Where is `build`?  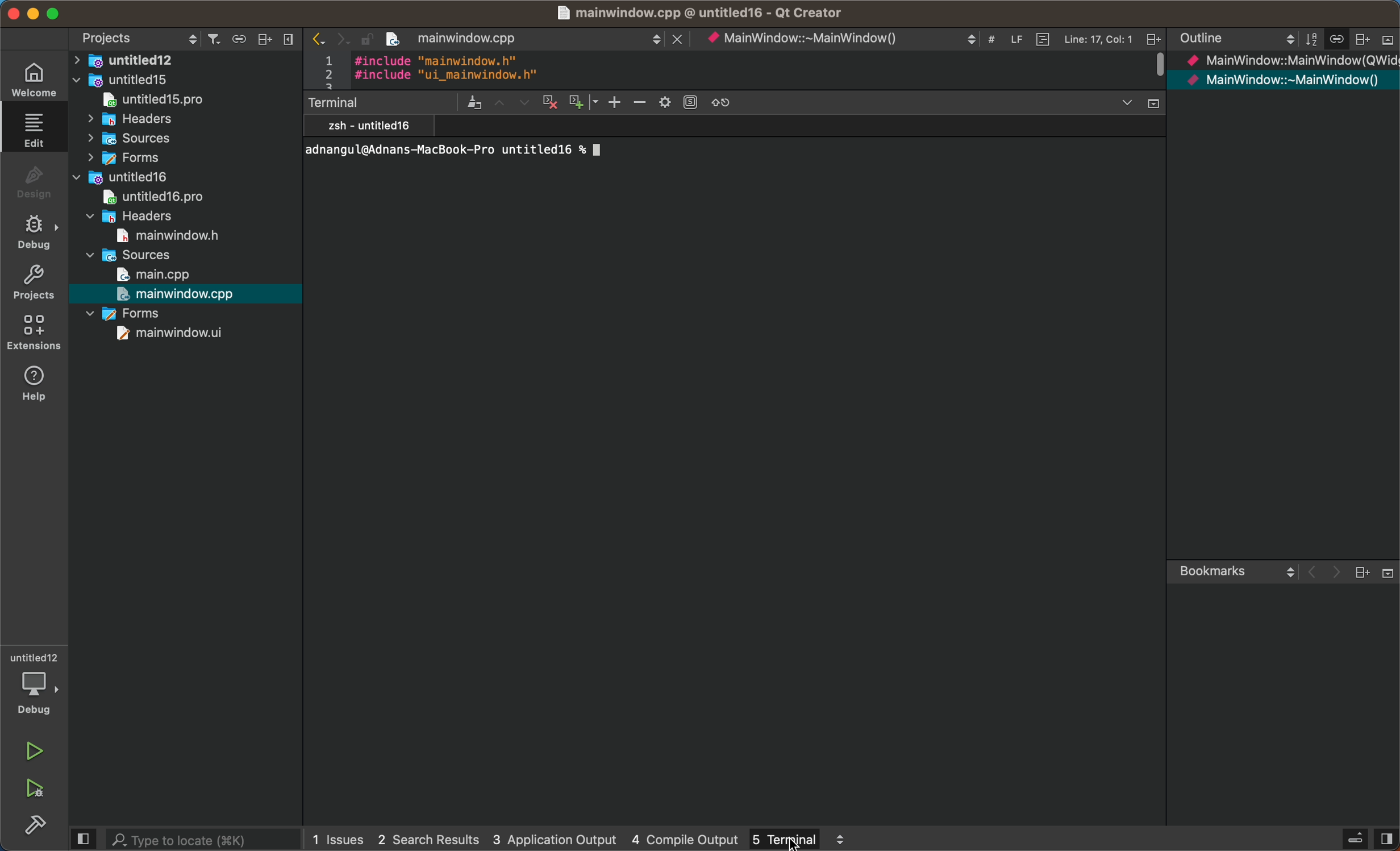
build is located at coordinates (32, 825).